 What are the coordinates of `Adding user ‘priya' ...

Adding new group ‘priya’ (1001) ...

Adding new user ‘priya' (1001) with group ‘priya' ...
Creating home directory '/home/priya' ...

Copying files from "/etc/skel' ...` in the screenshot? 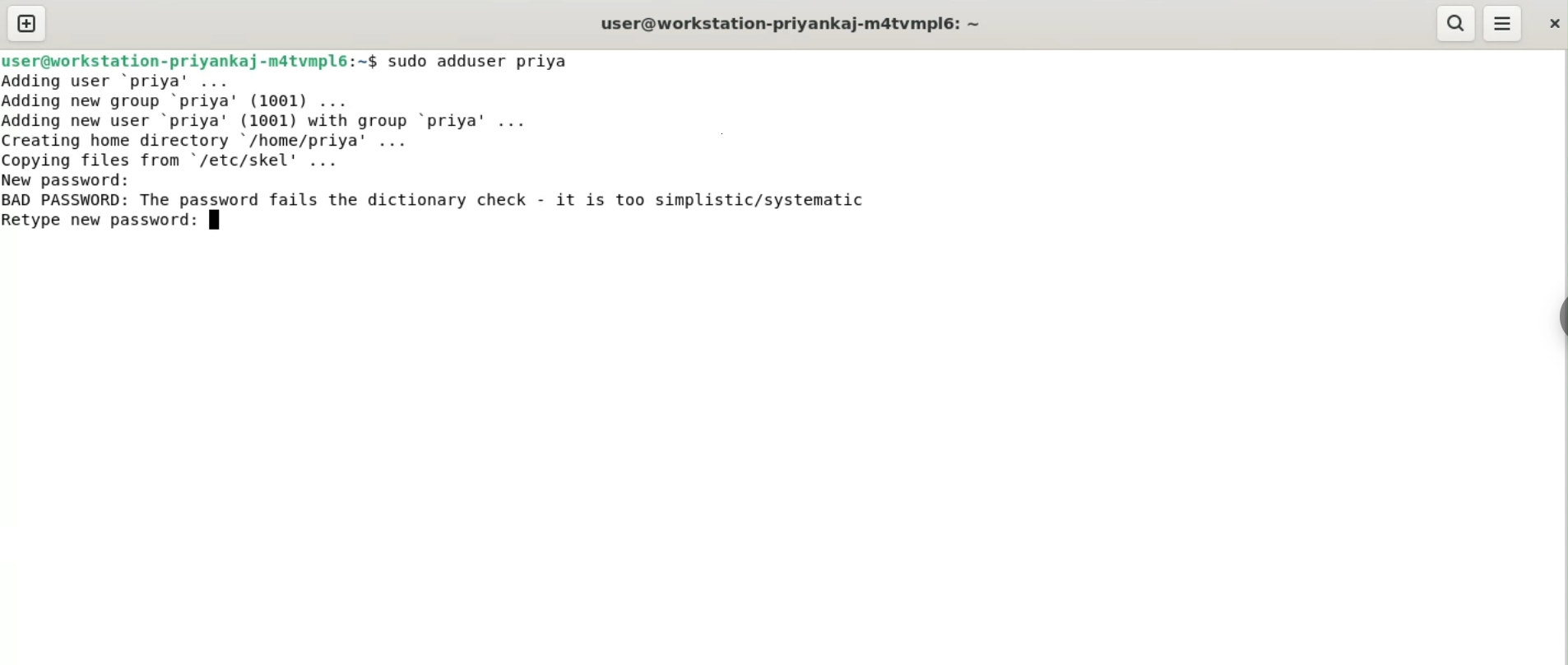 It's located at (274, 121).